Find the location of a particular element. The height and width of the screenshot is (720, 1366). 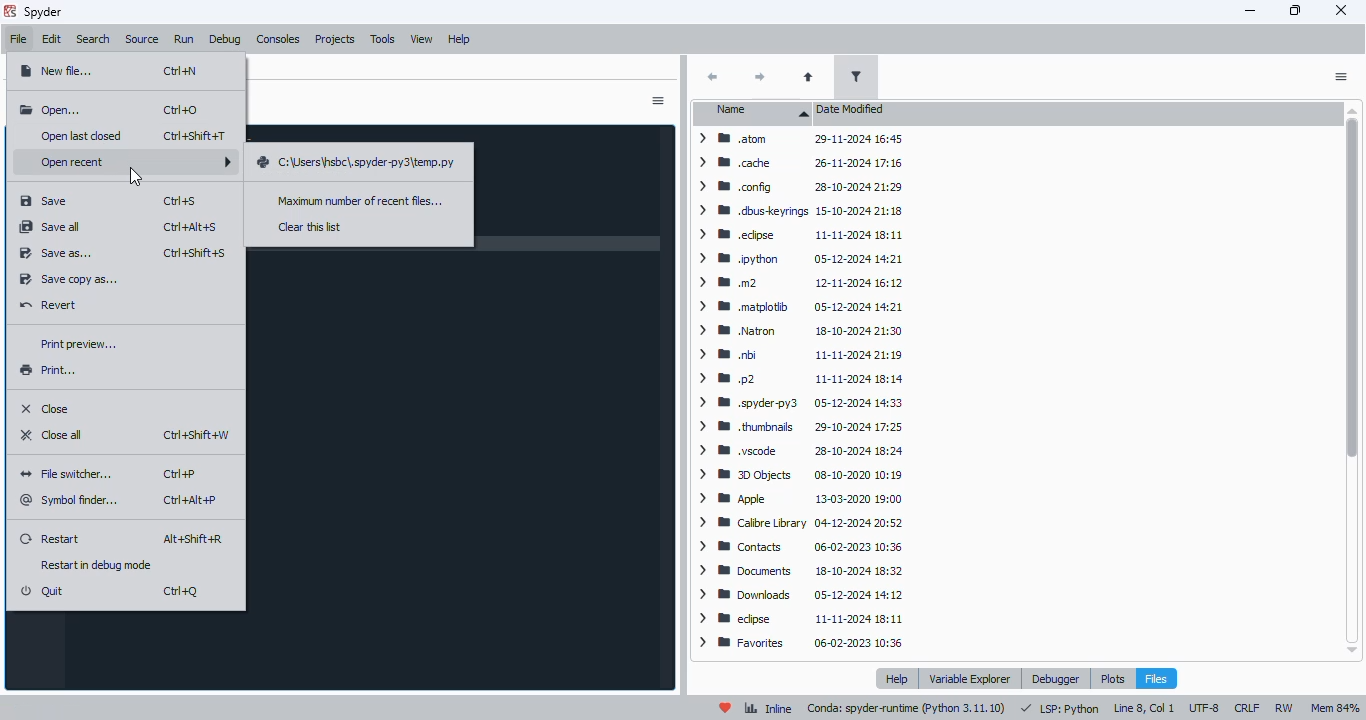

> BB Contacts 06-02-2023 10:36 is located at coordinates (799, 545).